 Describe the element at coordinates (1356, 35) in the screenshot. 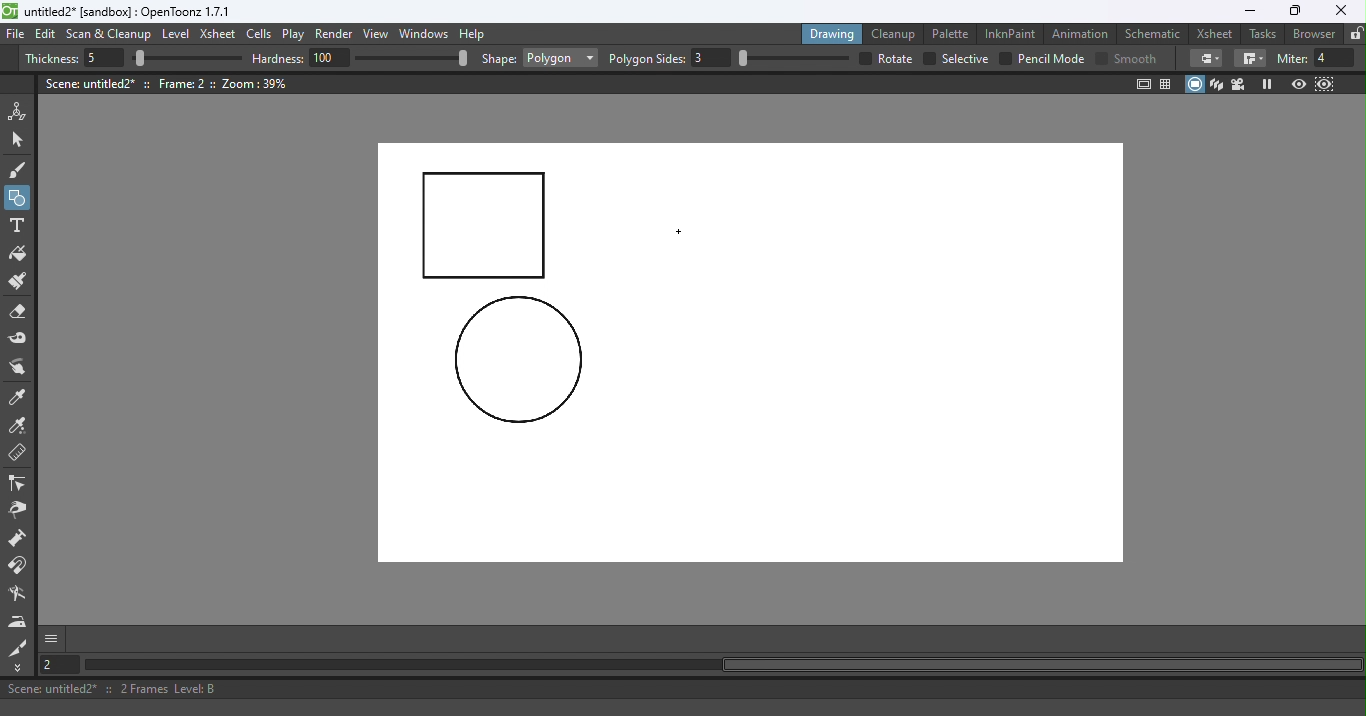

I see `Lock rooms tab` at that location.